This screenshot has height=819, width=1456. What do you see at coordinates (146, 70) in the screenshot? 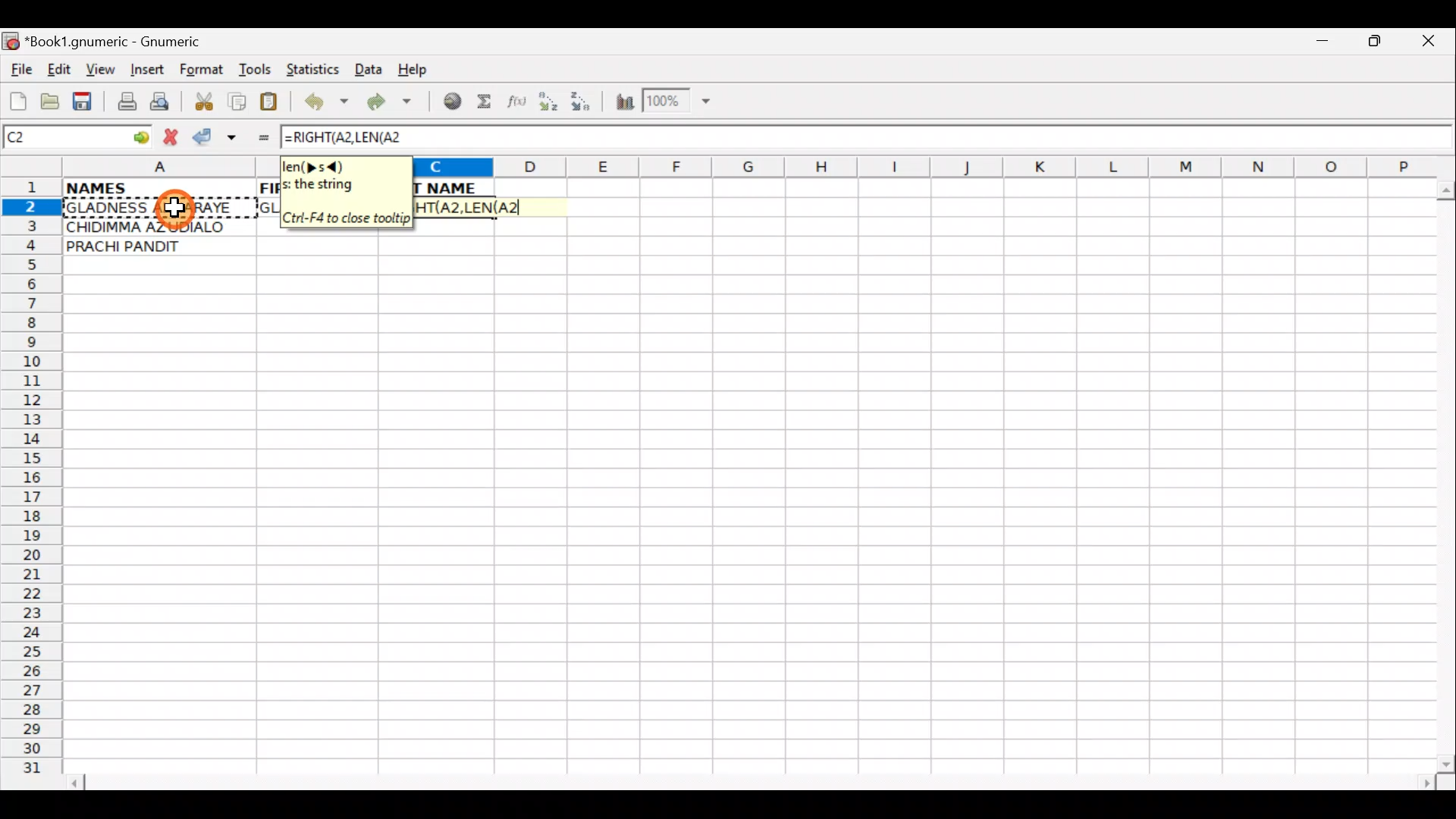
I see `Insert` at bounding box center [146, 70].